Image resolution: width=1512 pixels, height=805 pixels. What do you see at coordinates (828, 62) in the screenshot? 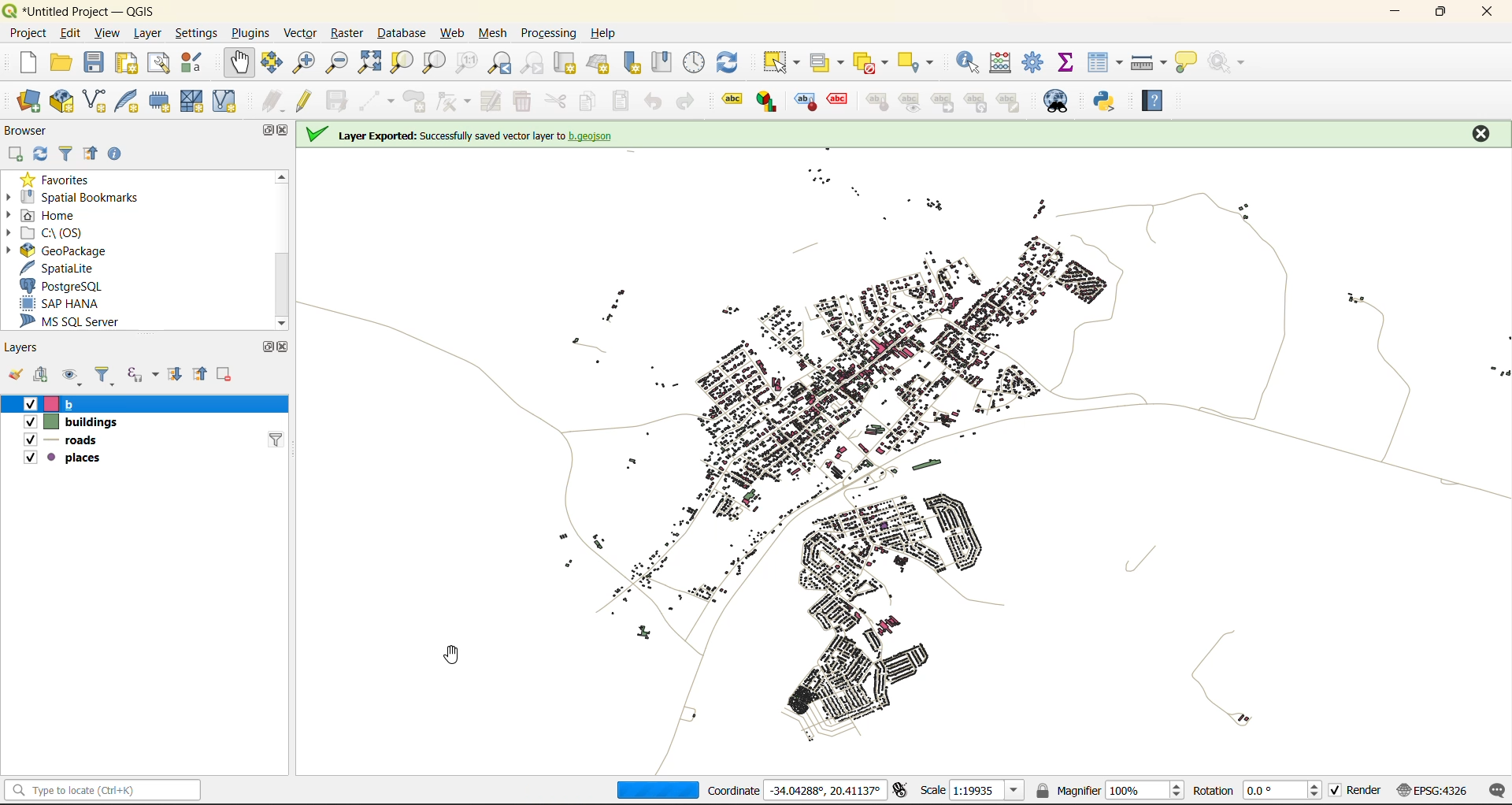
I see `select value` at bounding box center [828, 62].